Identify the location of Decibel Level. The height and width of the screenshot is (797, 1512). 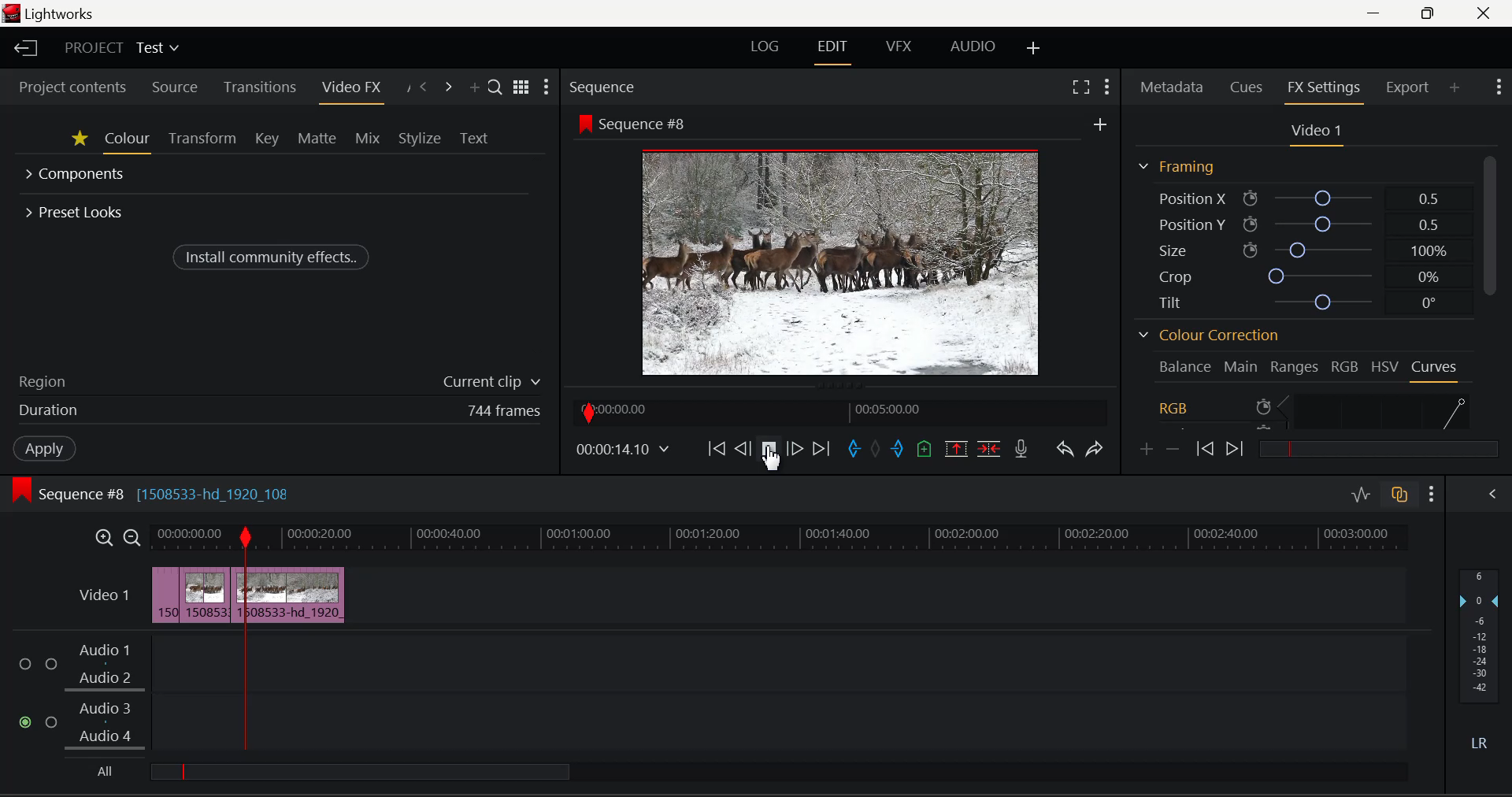
(1478, 656).